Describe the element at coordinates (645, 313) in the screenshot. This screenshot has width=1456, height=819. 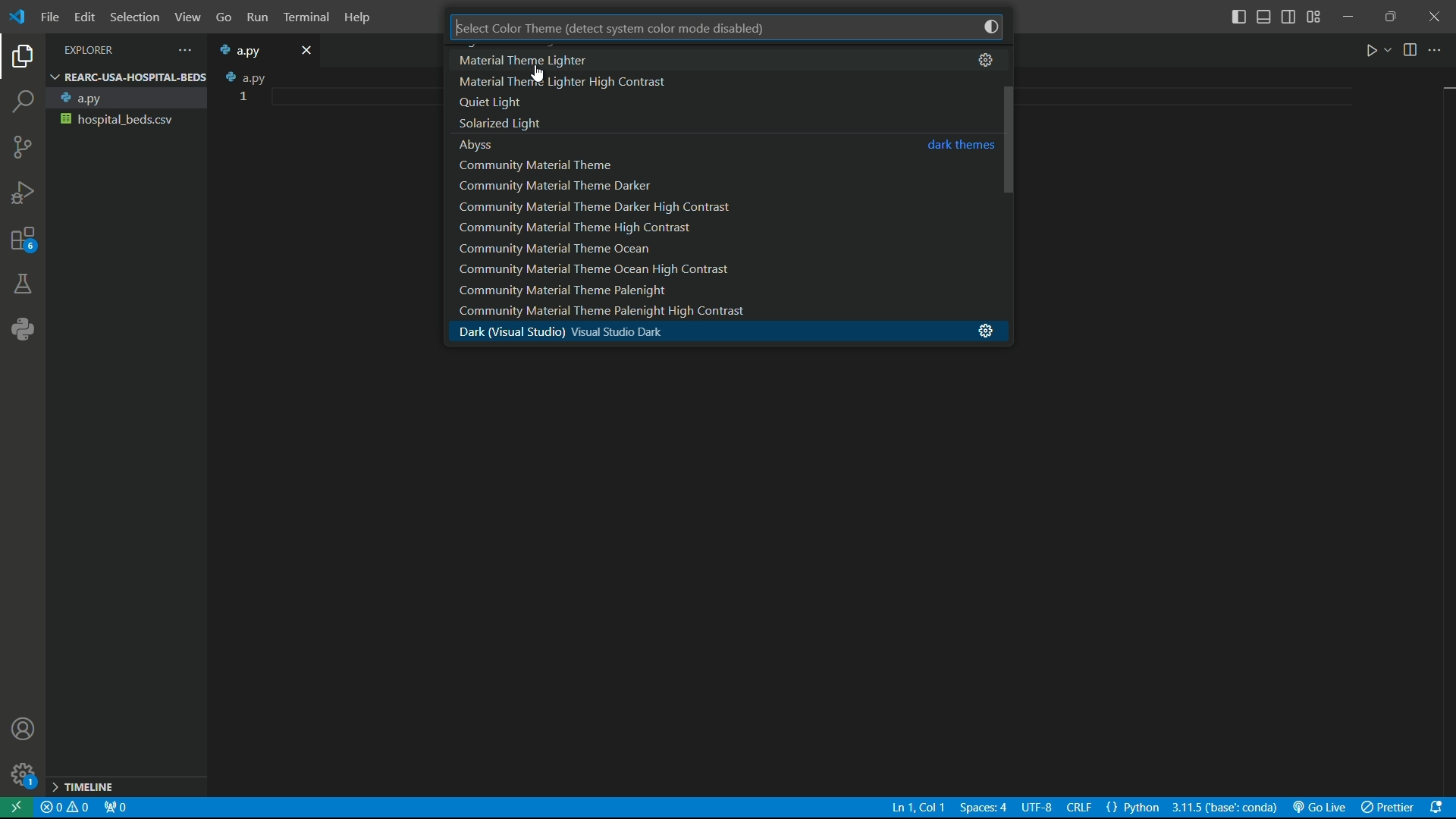
I see `Community Material Theme Palenight High Contrast` at that location.